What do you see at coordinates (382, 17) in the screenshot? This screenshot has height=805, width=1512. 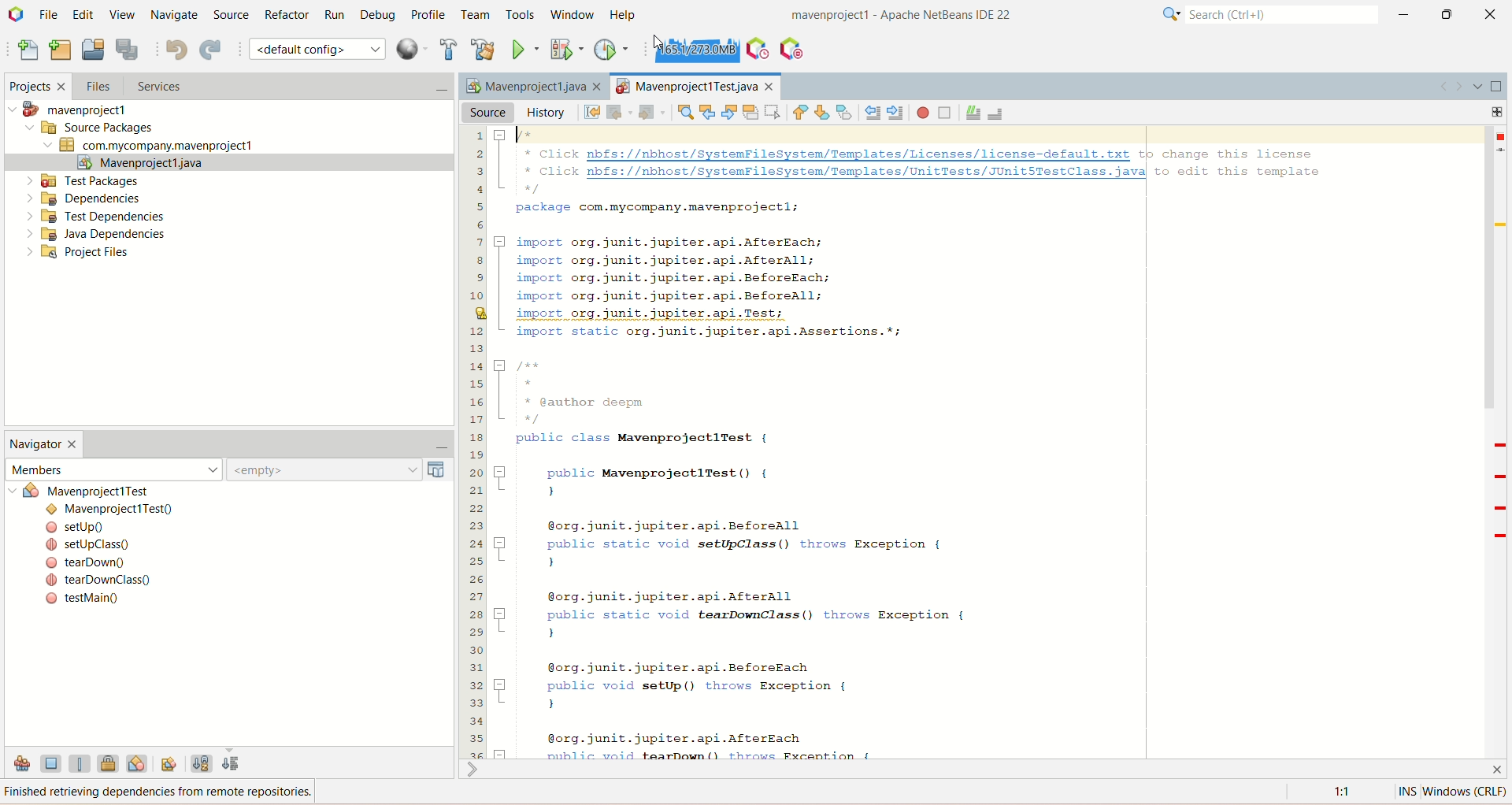 I see `debug` at bounding box center [382, 17].